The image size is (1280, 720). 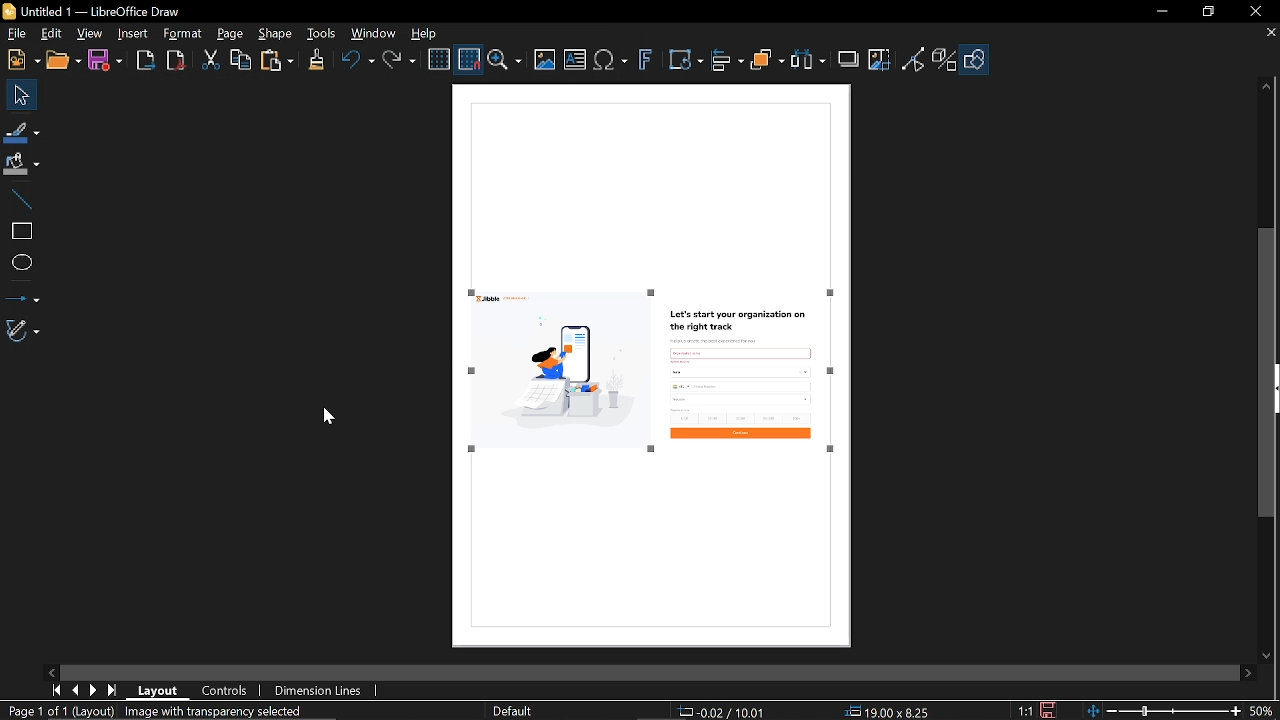 I want to click on Export, so click(x=146, y=62).